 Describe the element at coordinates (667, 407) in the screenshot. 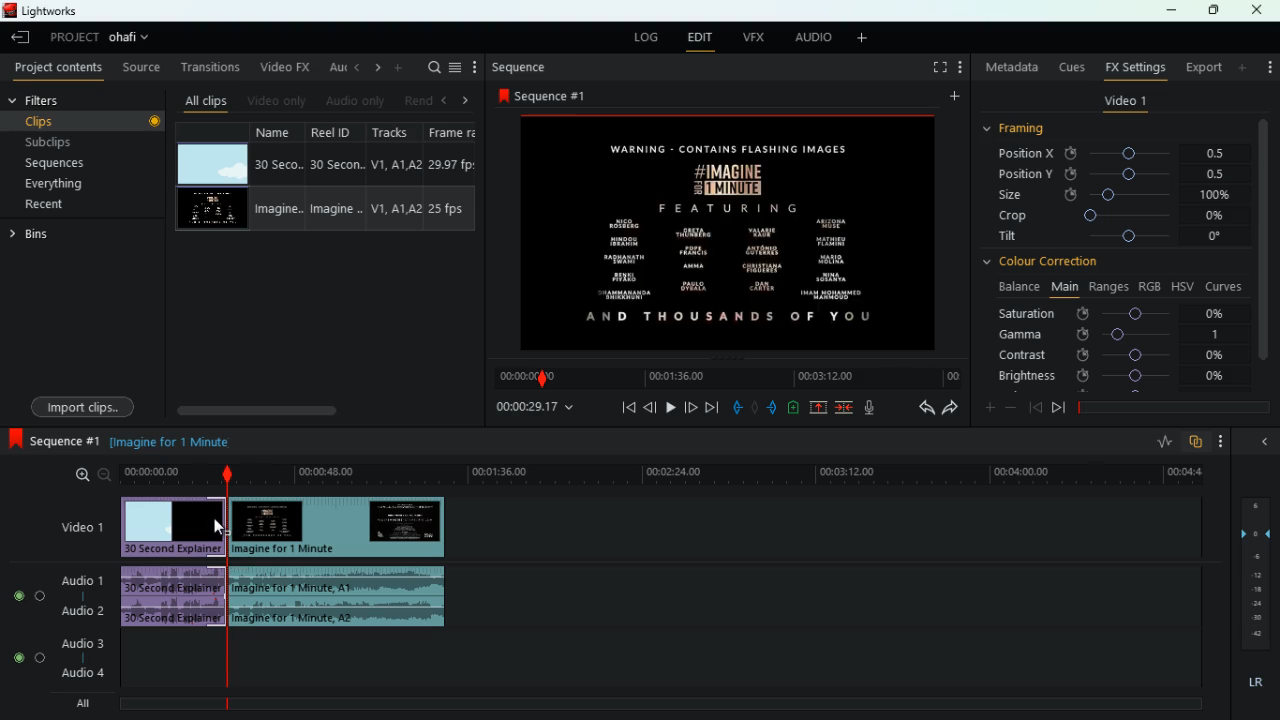

I see `play` at that location.